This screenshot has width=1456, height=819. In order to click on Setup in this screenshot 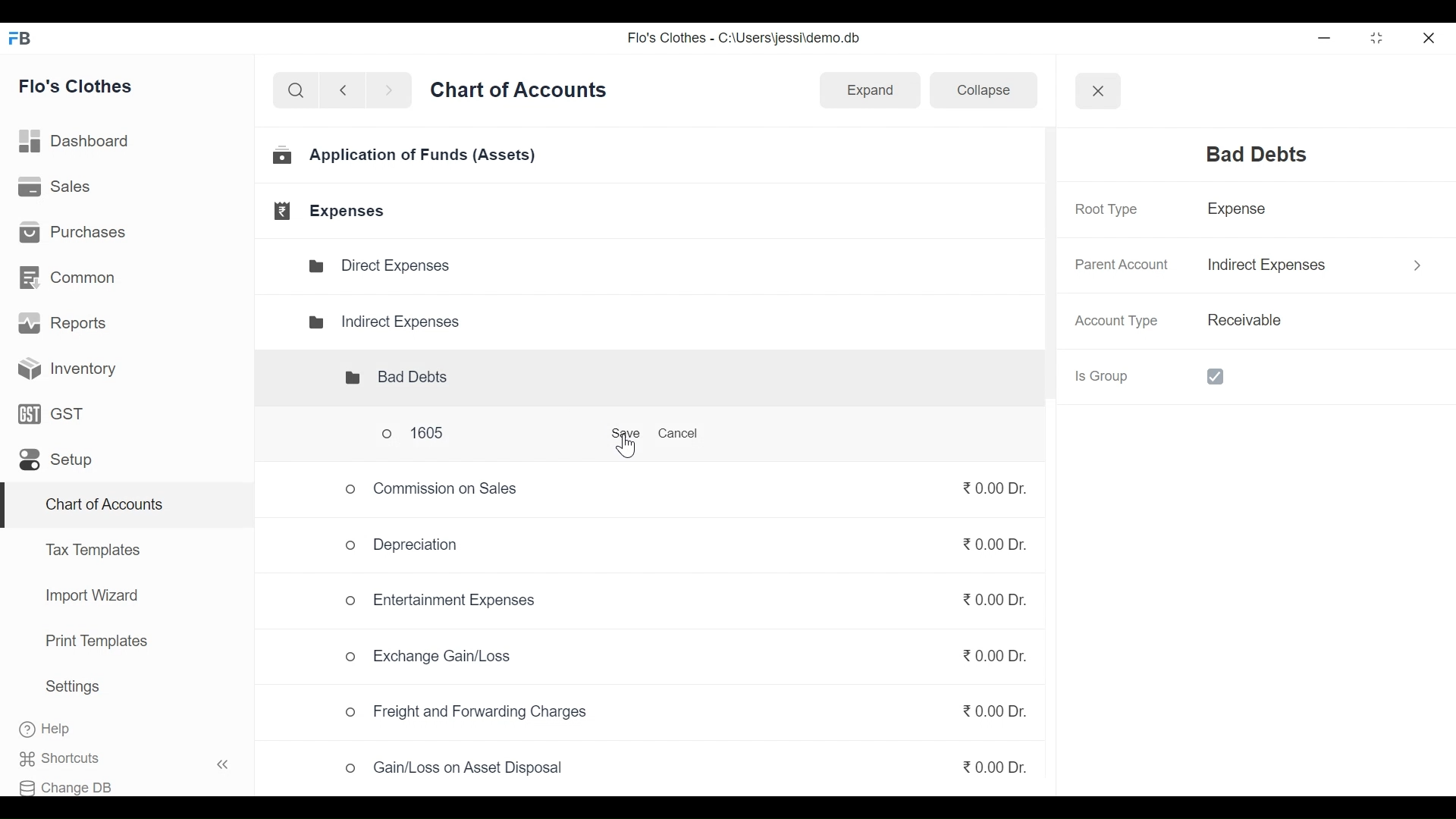, I will do `click(55, 463)`.